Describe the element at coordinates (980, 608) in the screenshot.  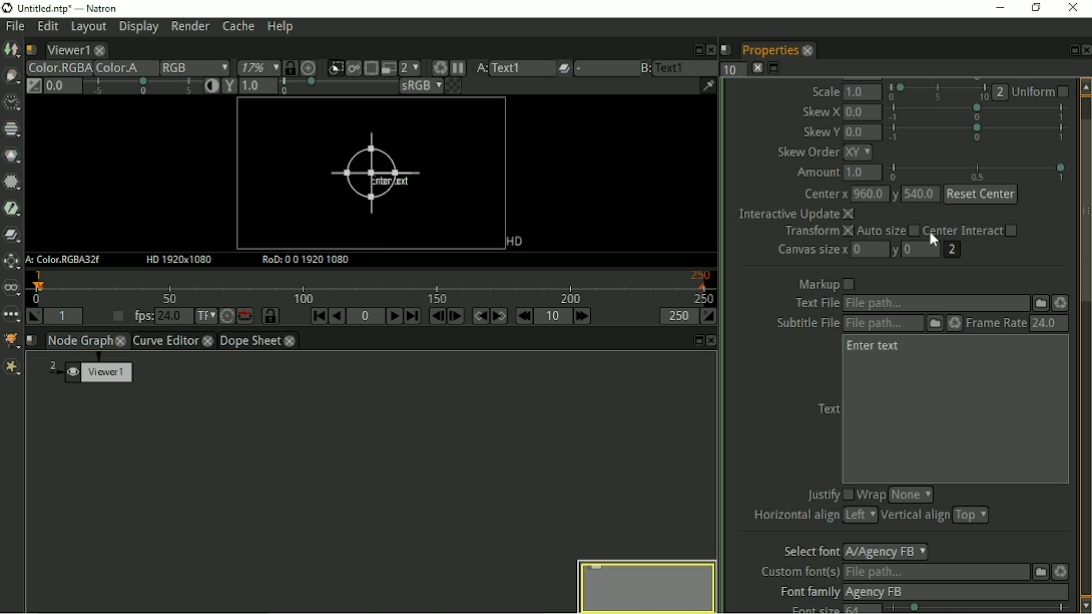
I see `selection bar` at that location.